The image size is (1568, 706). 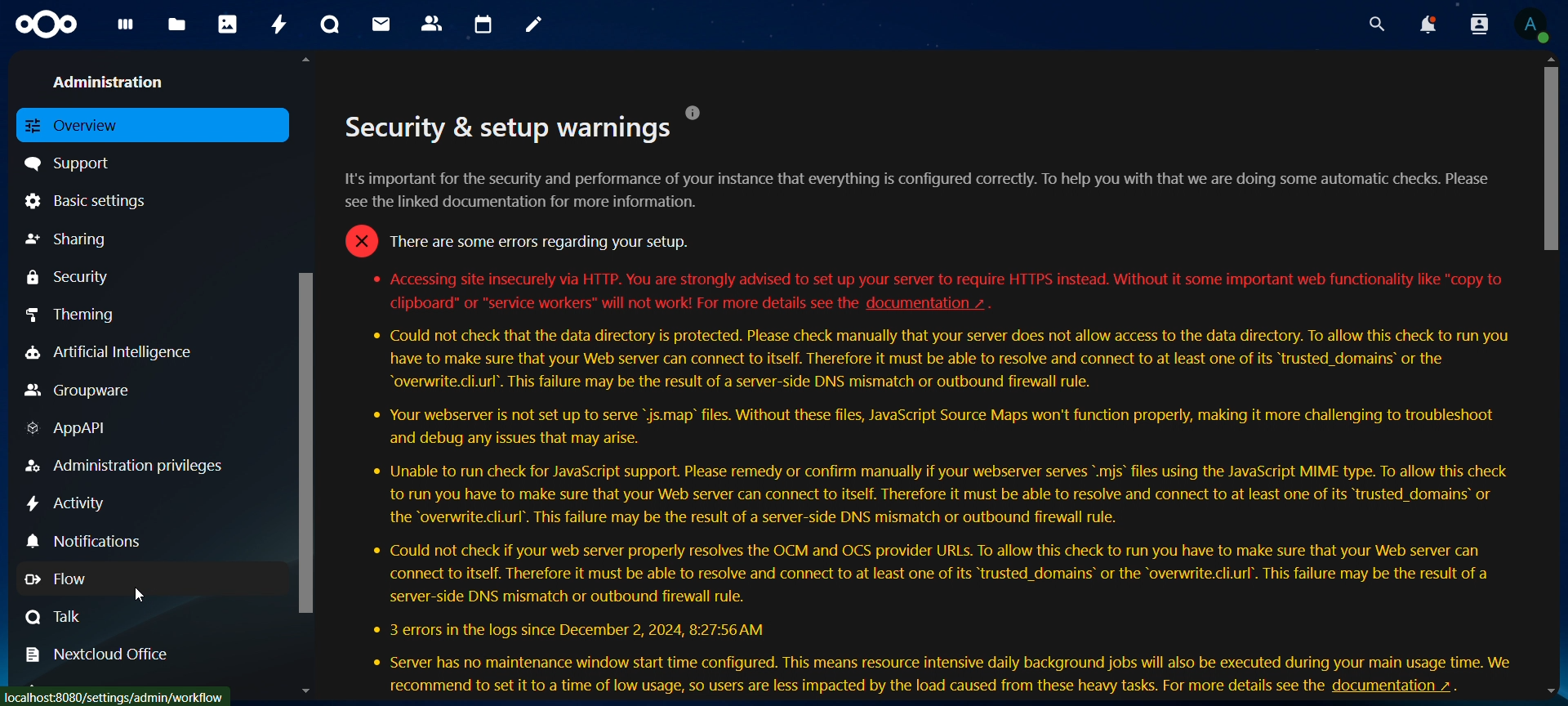 I want to click on administration, so click(x=114, y=80).